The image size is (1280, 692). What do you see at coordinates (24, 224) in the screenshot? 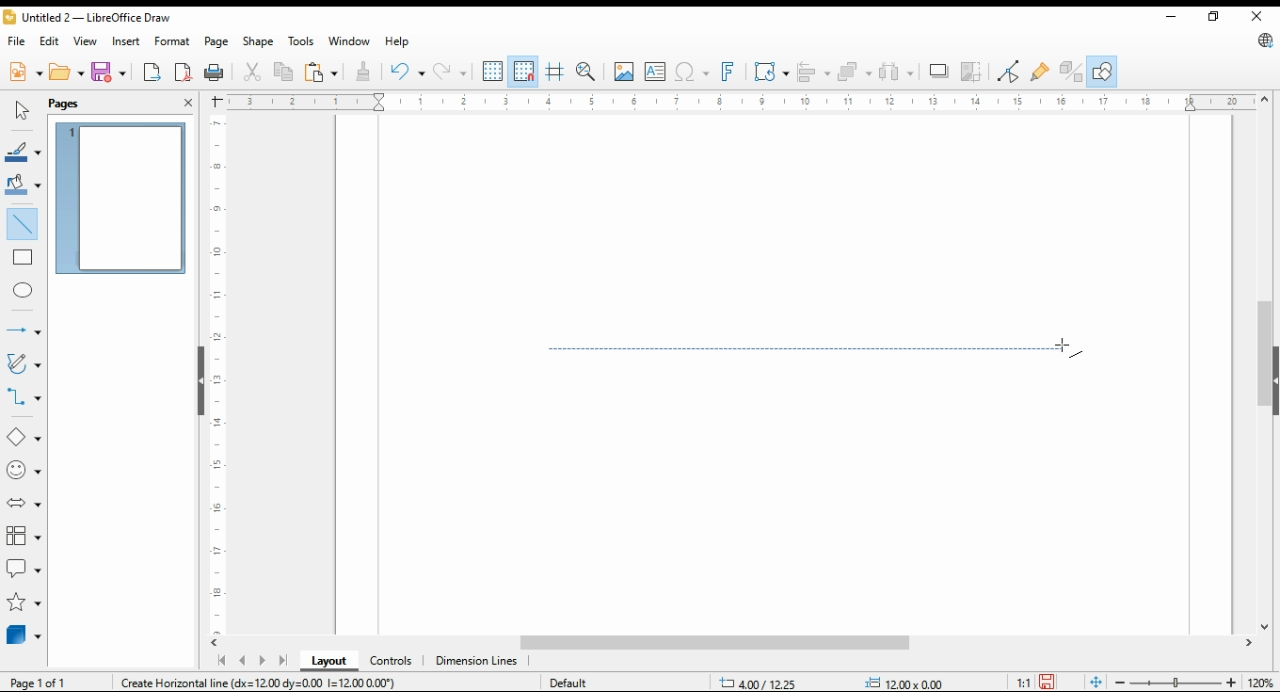
I see `insert line` at bounding box center [24, 224].